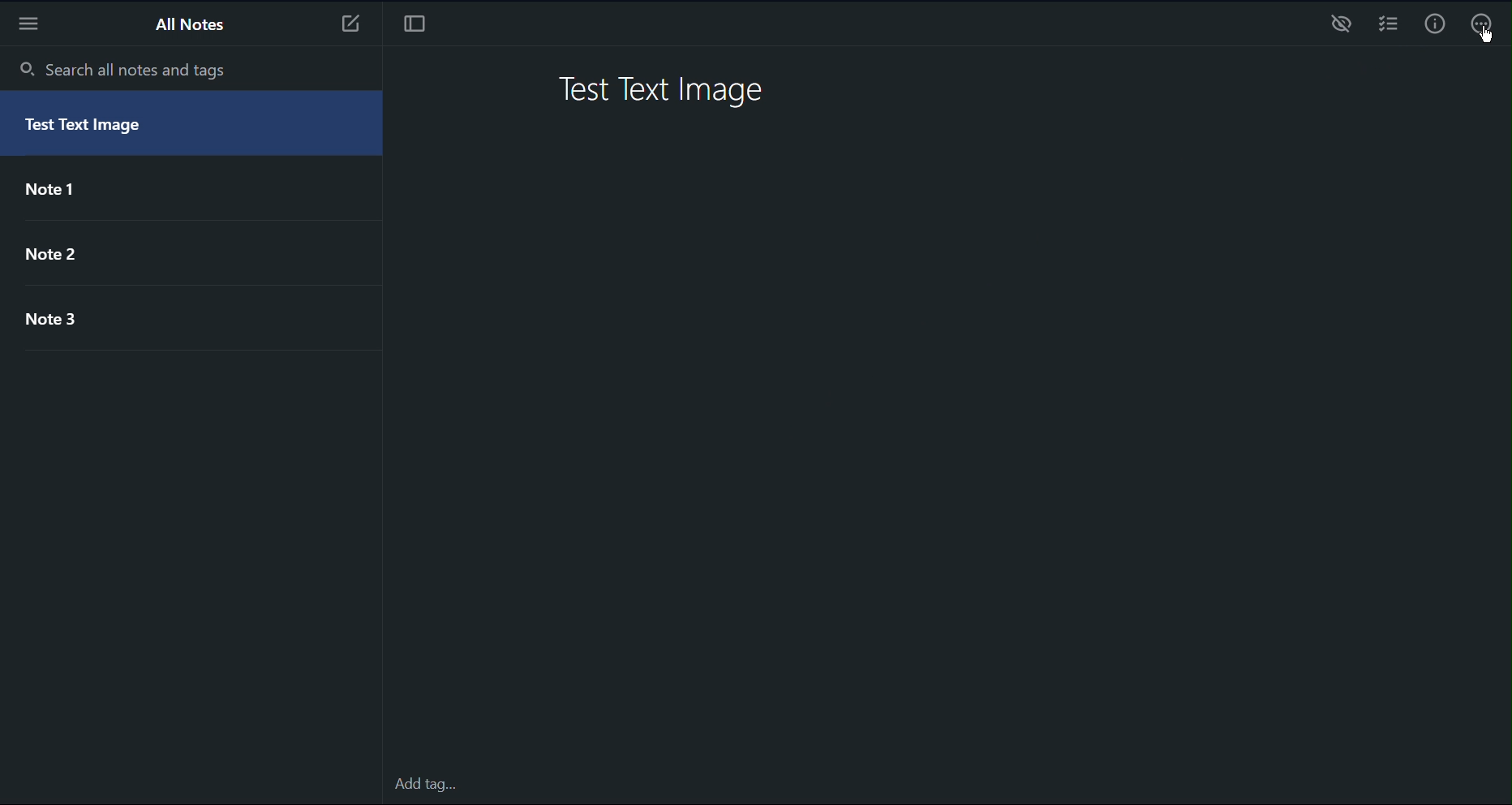 The image size is (1512, 805). What do you see at coordinates (1491, 37) in the screenshot?
I see `cursor` at bounding box center [1491, 37].